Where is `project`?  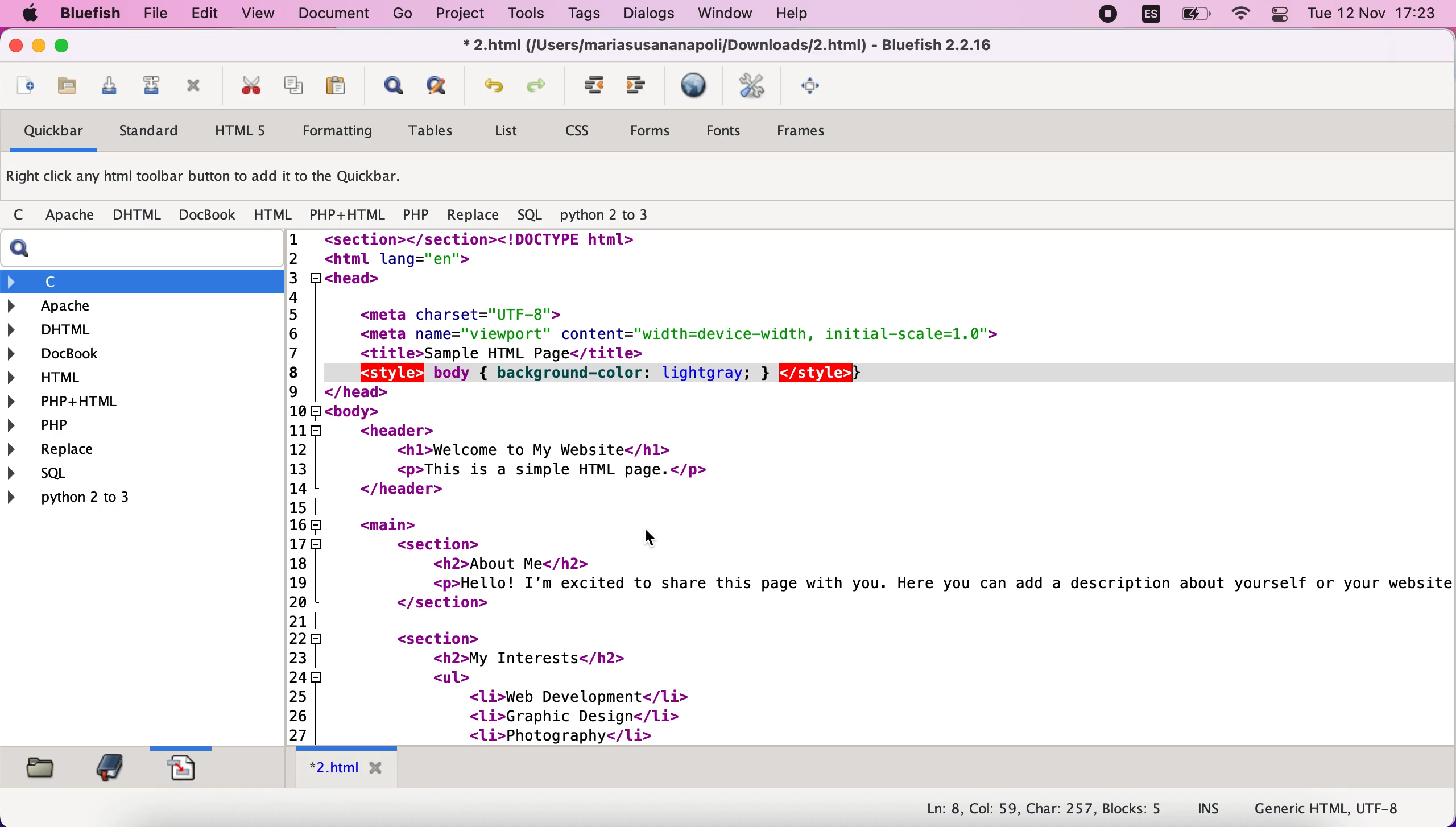
project is located at coordinates (458, 15).